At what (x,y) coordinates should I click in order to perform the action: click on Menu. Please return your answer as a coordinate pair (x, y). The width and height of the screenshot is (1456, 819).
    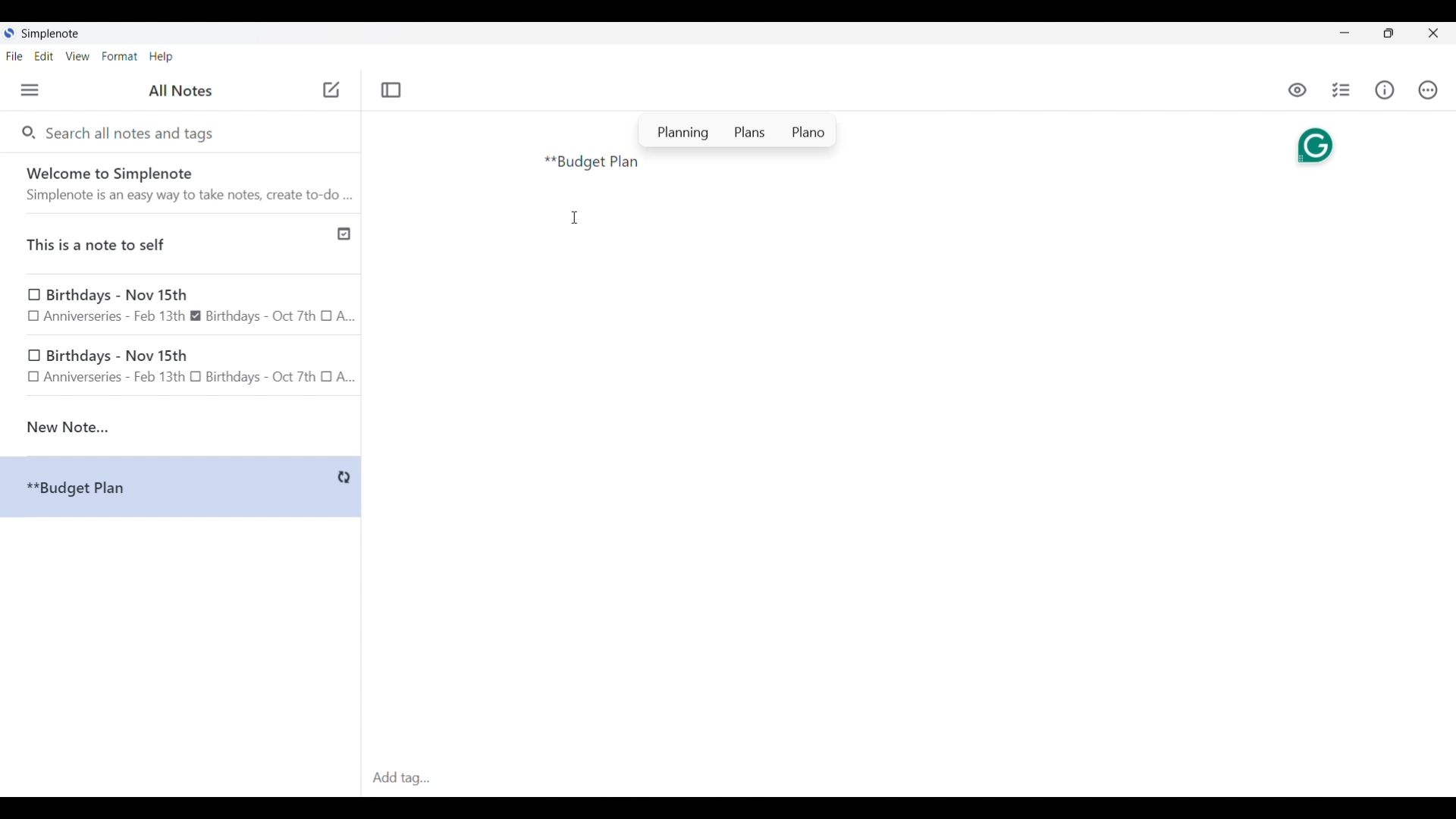
    Looking at the image, I should click on (30, 89).